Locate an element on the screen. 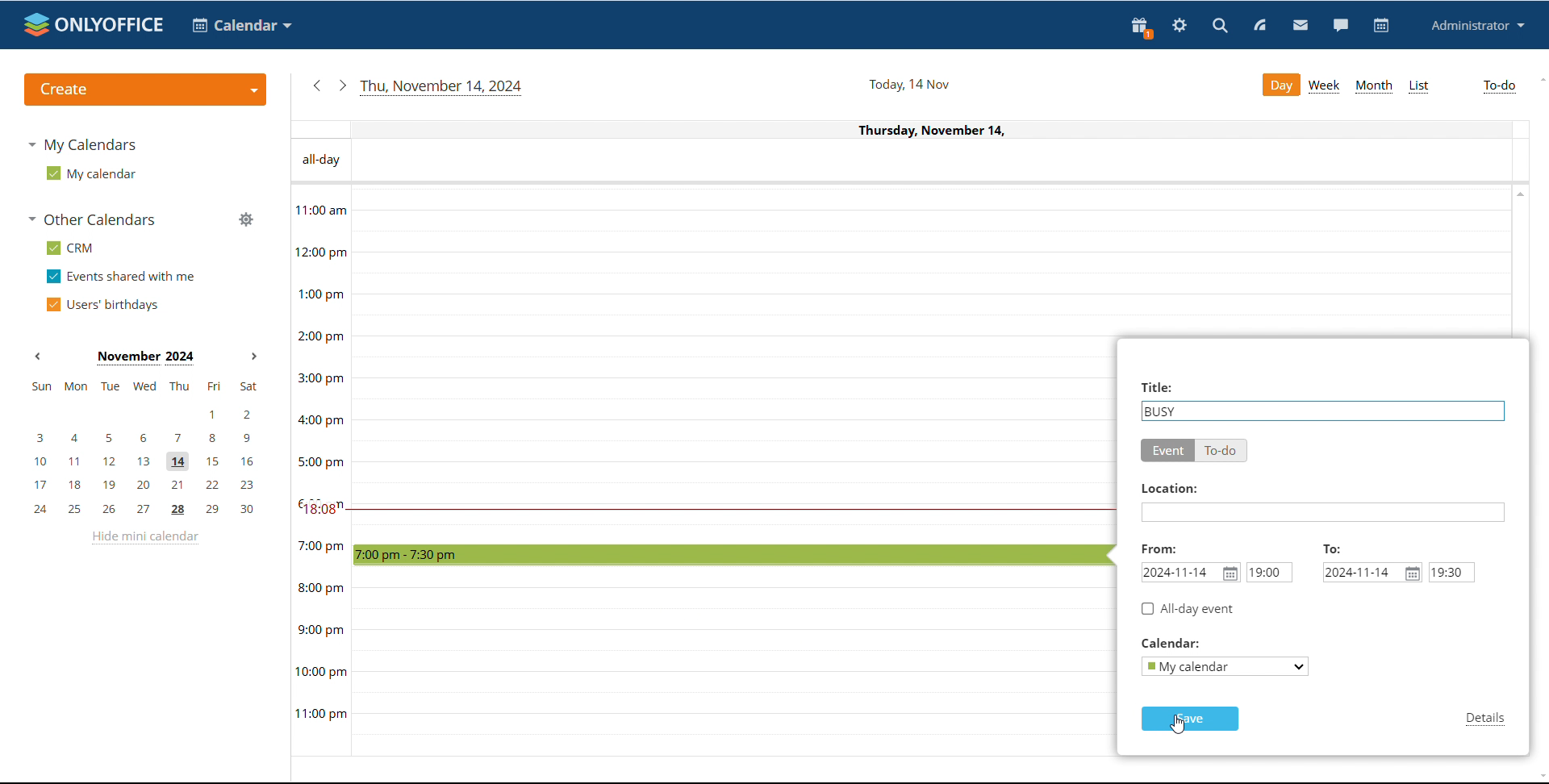  list view is located at coordinates (1417, 88).